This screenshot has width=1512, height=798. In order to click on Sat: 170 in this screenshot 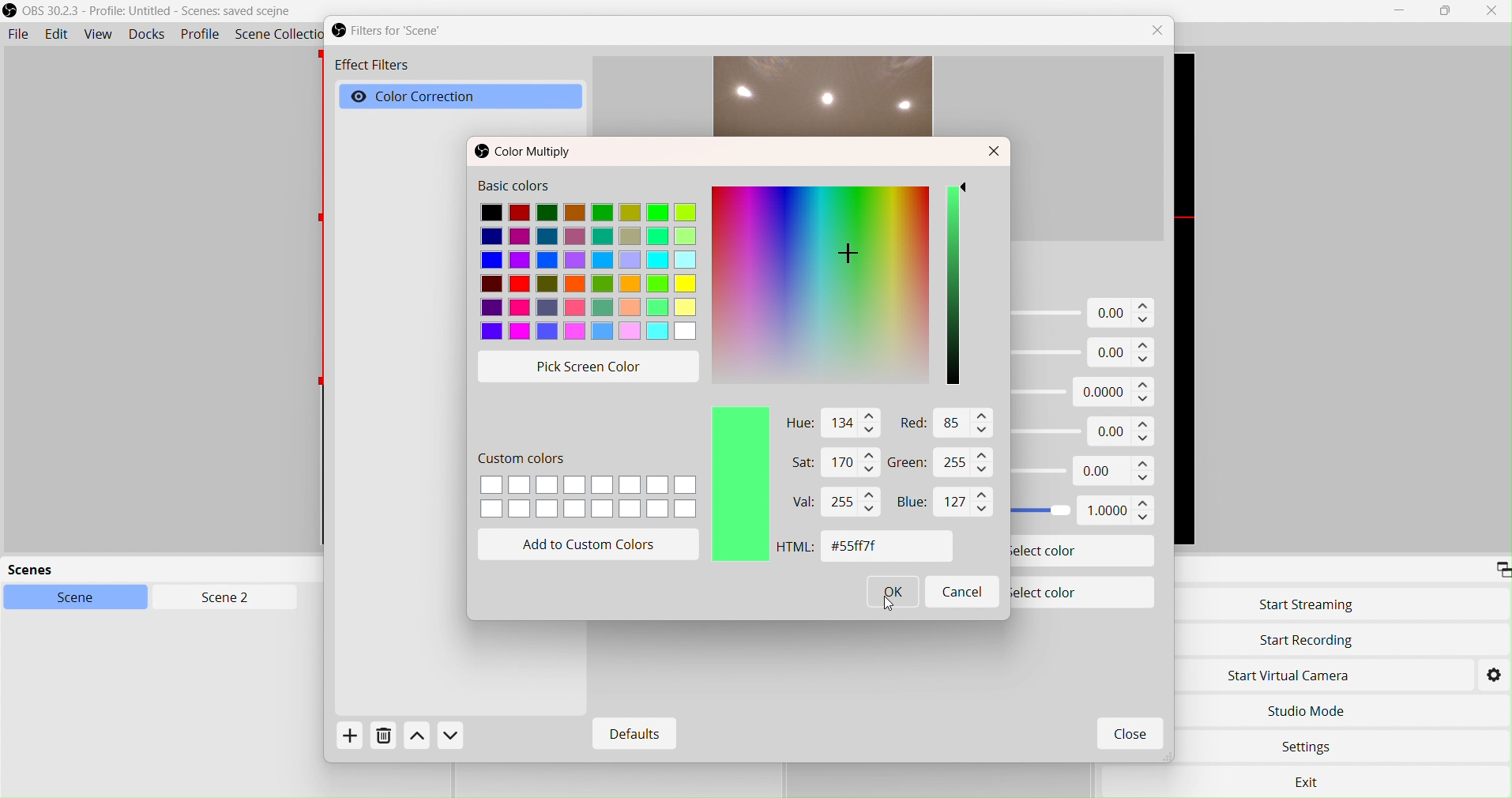, I will do `click(824, 463)`.